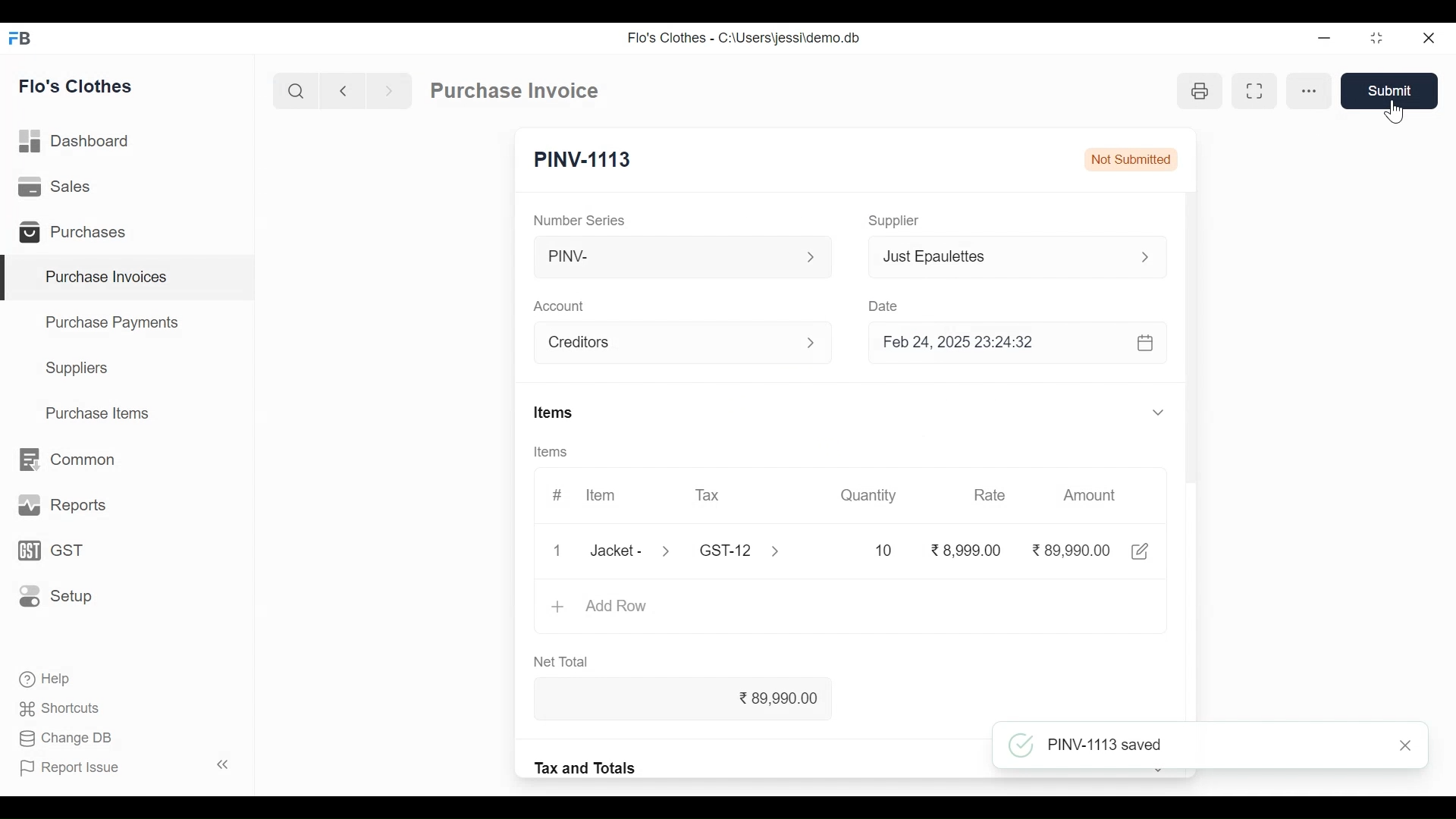 This screenshot has height=819, width=1456. Describe the element at coordinates (1308, 89) in the screenshot. I see `more` at that location.